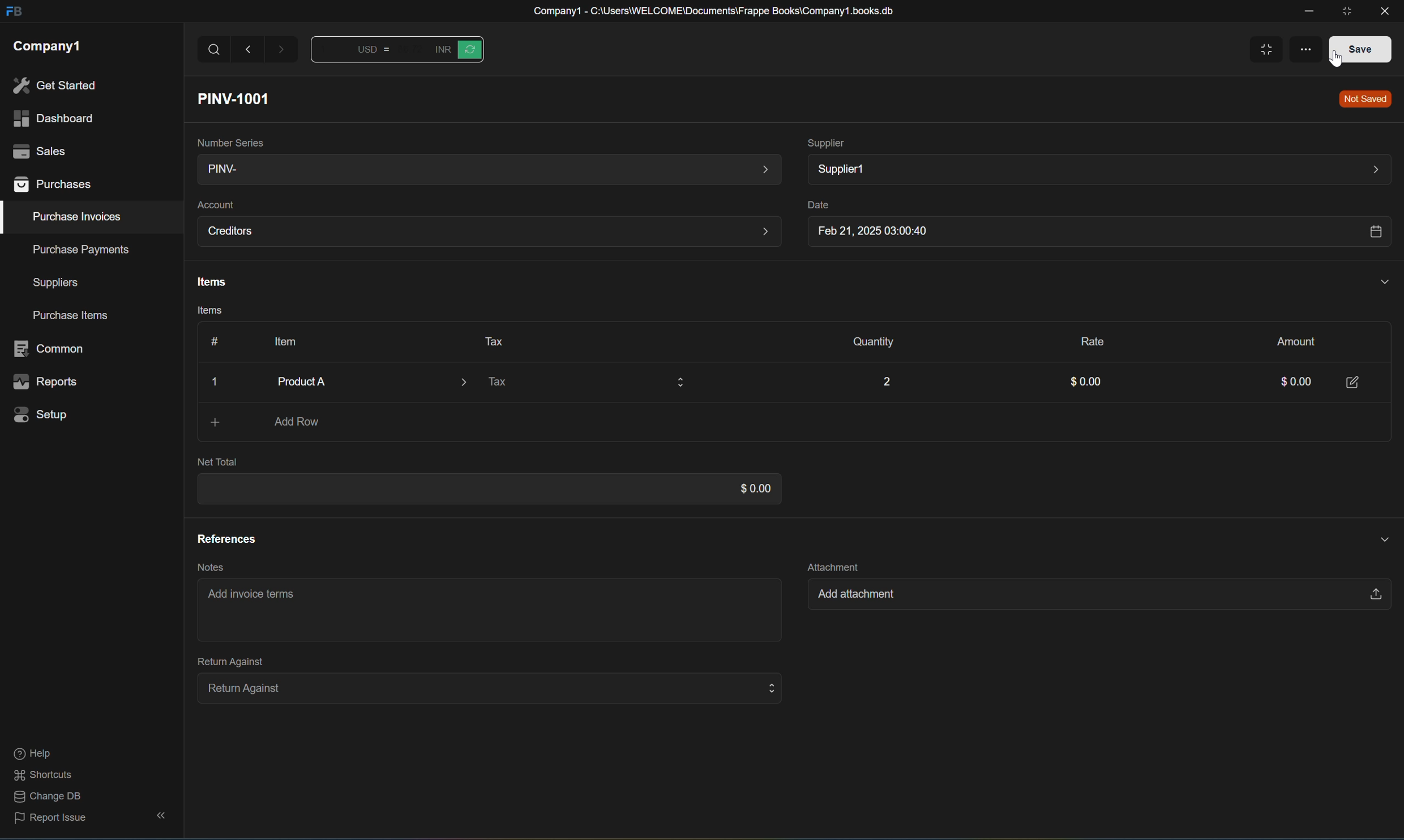 This screenshot has height=840, width=1404. What do you see at coordinates (256, 598) in the screenshot?
I see `Add invoice terms` at bounding box center [256, 598].